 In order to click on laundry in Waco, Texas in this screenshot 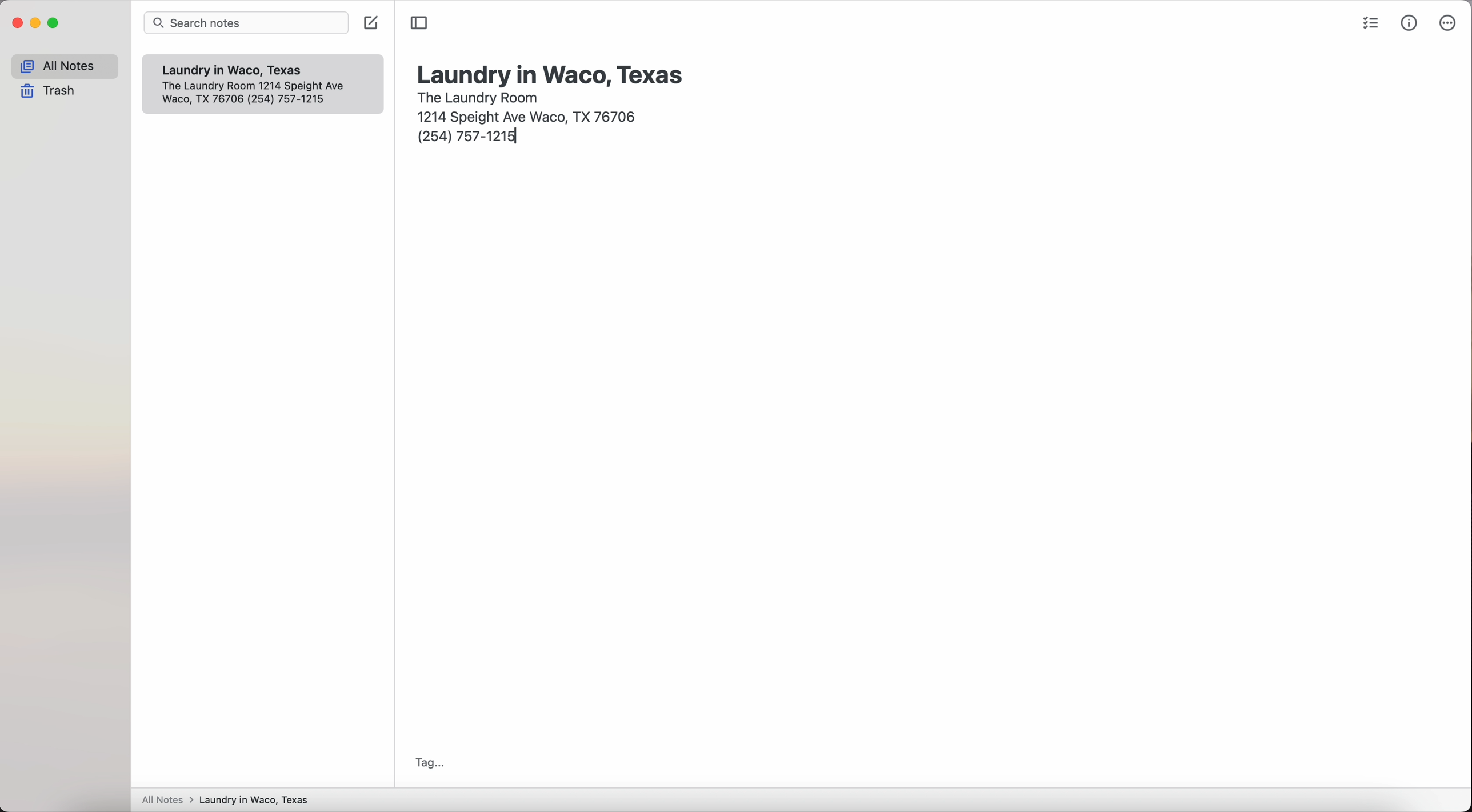, I will do `click(552, 74)`.